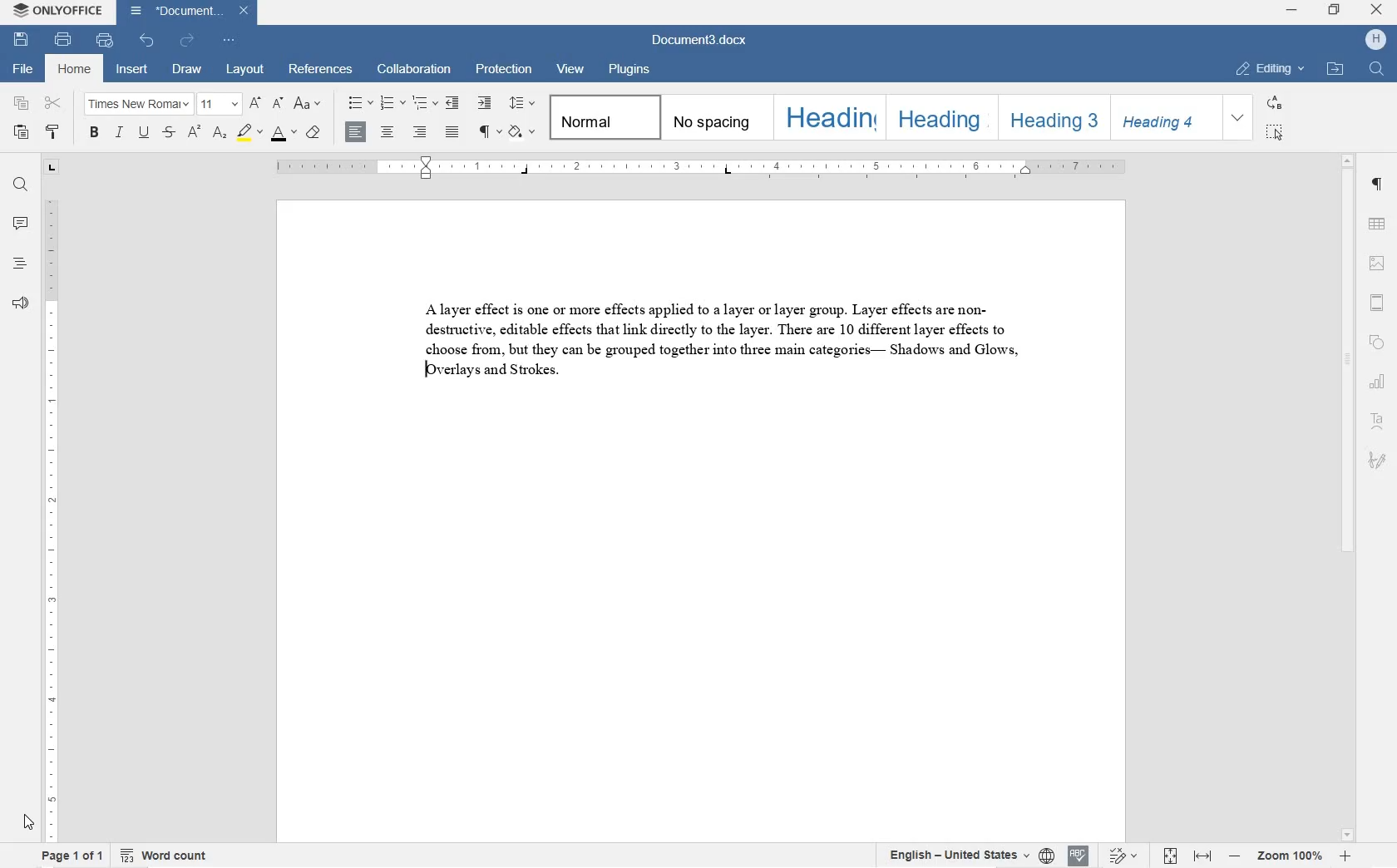 The width and height of the screenshot is (1397, 868). Describe the element at coordinates (250, 132) in the screenshot. I see `HIGHLIGHT COLOR` at that location.